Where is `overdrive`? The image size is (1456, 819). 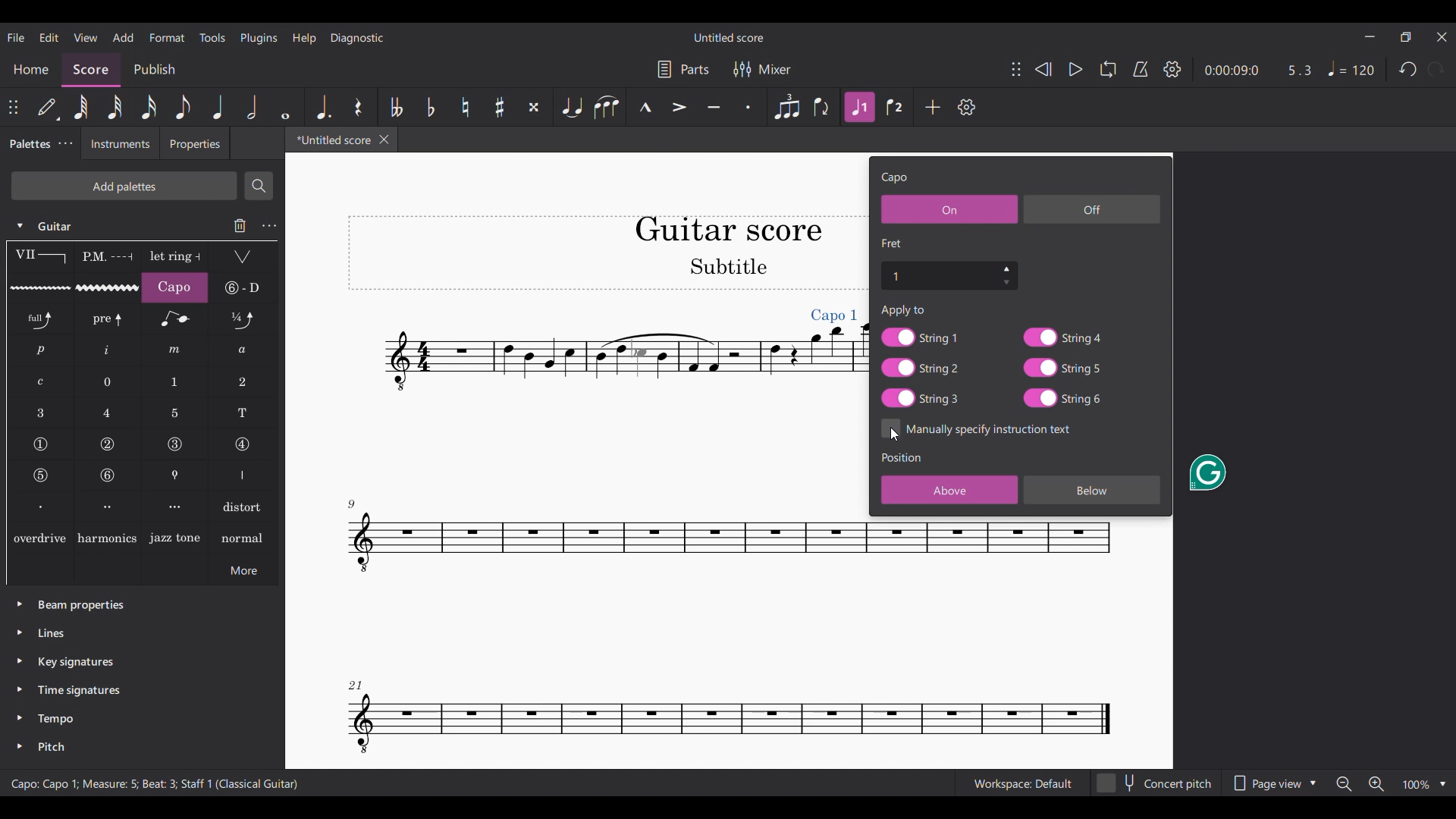
overdrive is located at coordinates (39, 537).